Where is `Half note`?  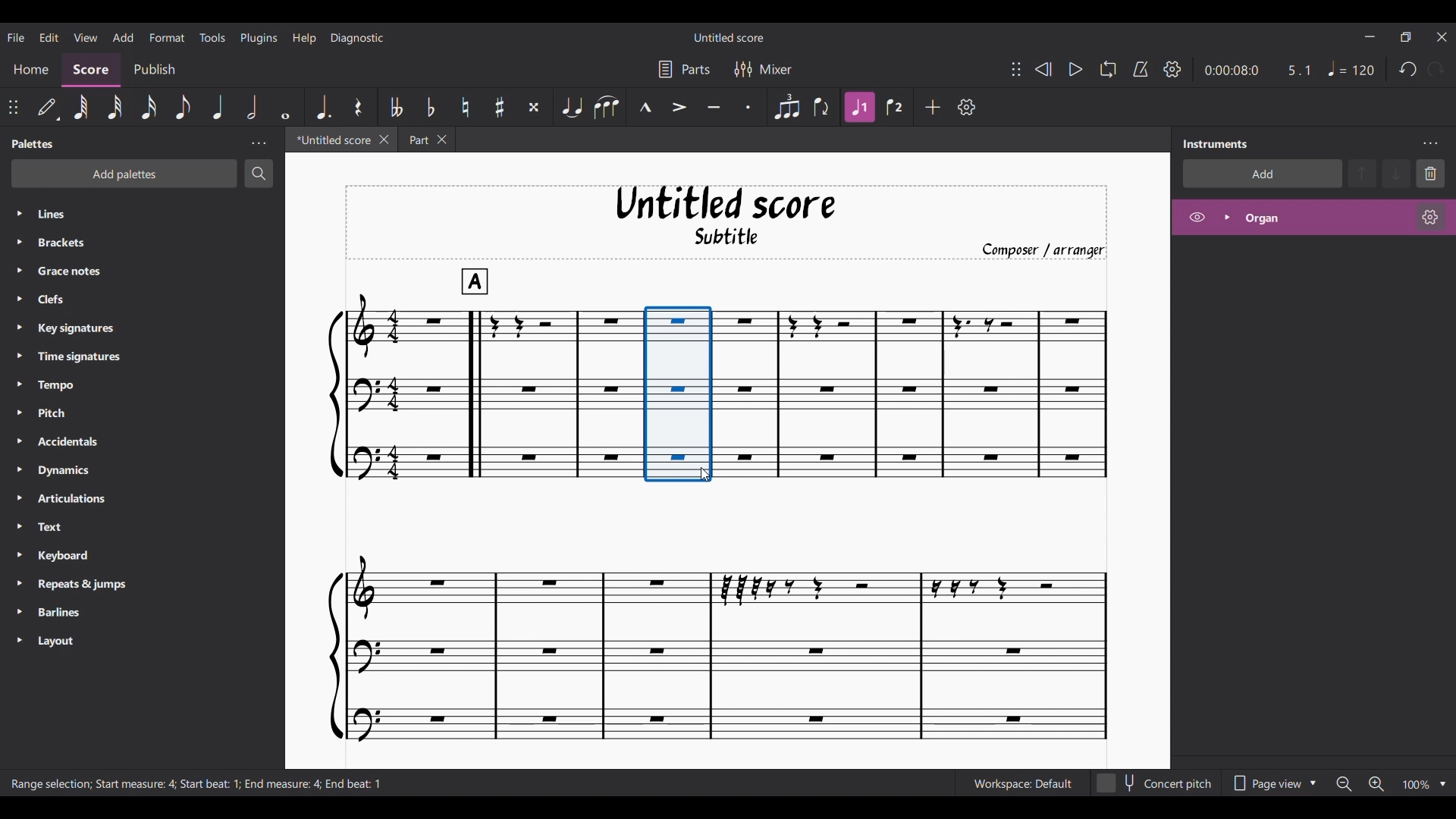
Half note is located at coordinates (253, 107).